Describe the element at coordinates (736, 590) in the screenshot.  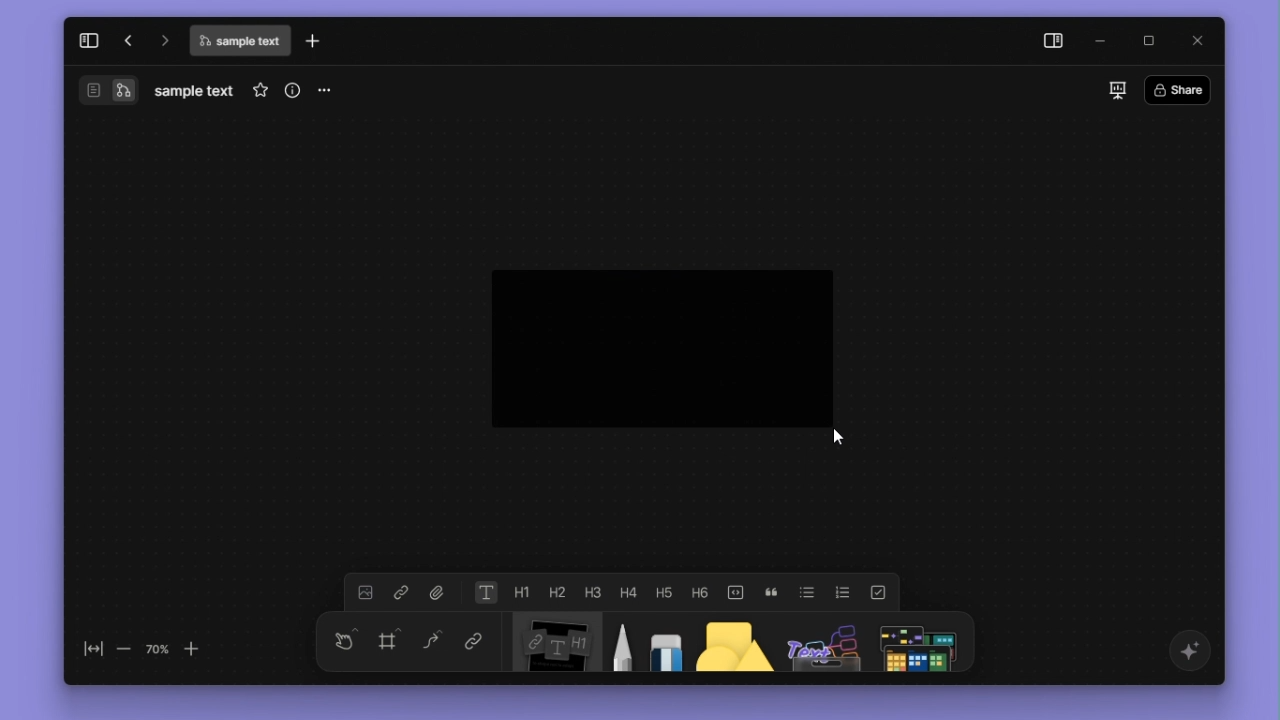
I see `code block` at that location.